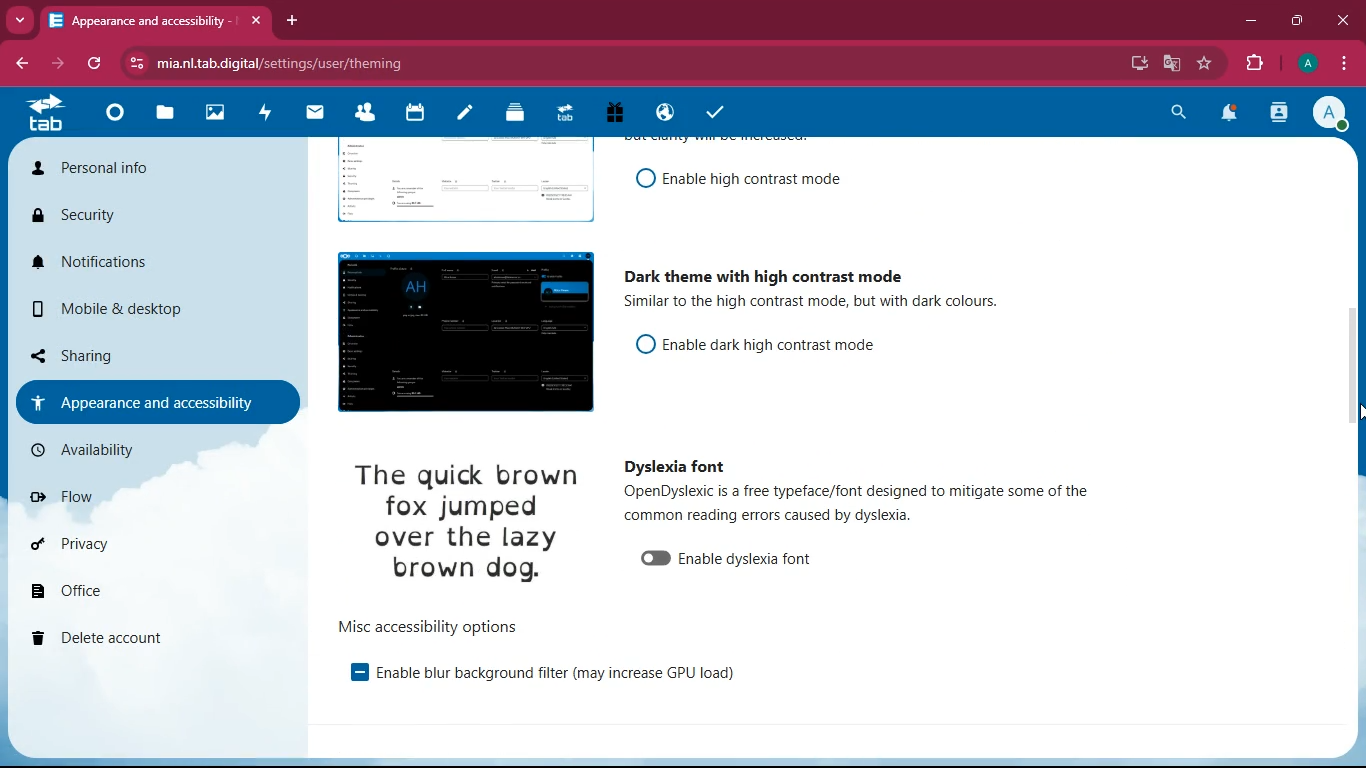 This screenshot has height=768, width=1366. Describe the element at coordinates (458, 181) in the screenshot. I see `image` at that location.